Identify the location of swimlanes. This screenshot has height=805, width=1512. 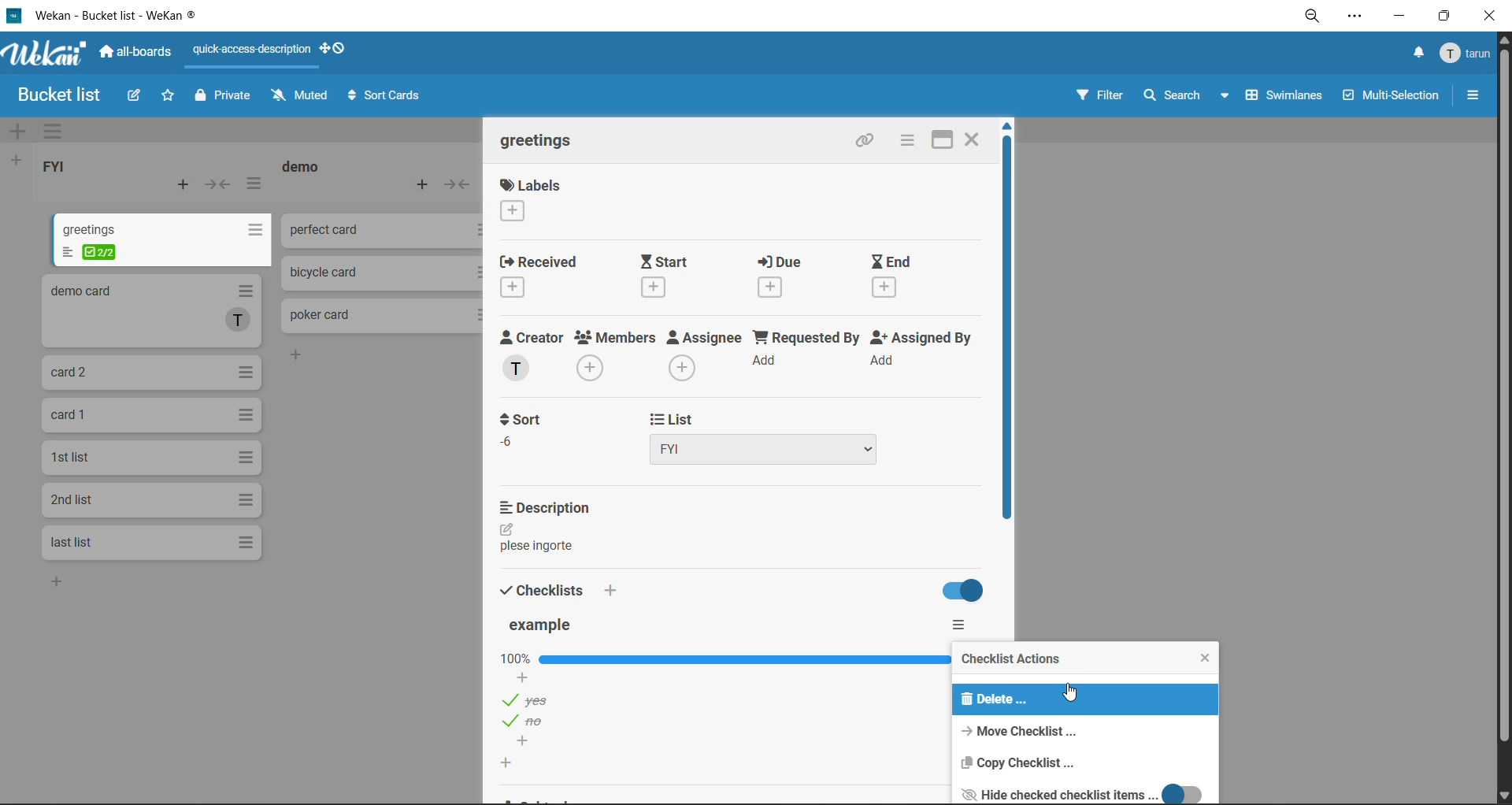
(1288, 95).